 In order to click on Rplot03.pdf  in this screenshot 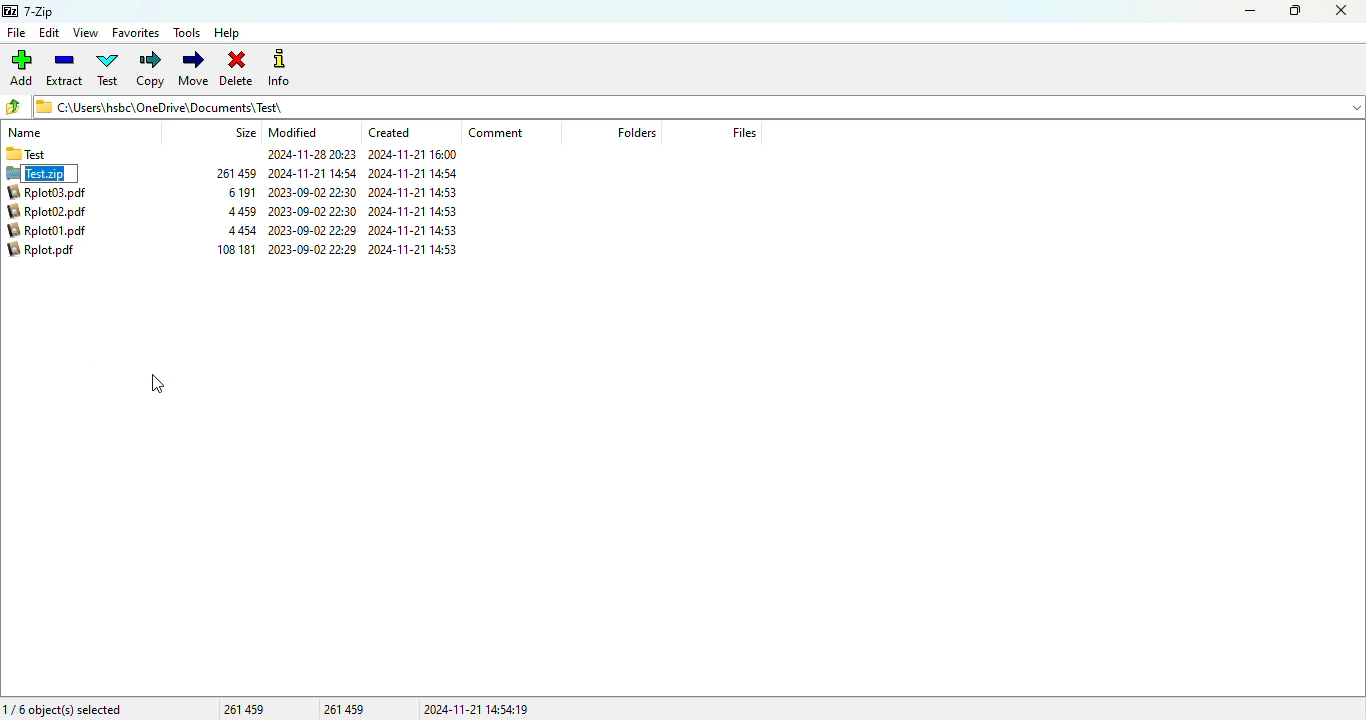, I will do `click(53, 192)`.